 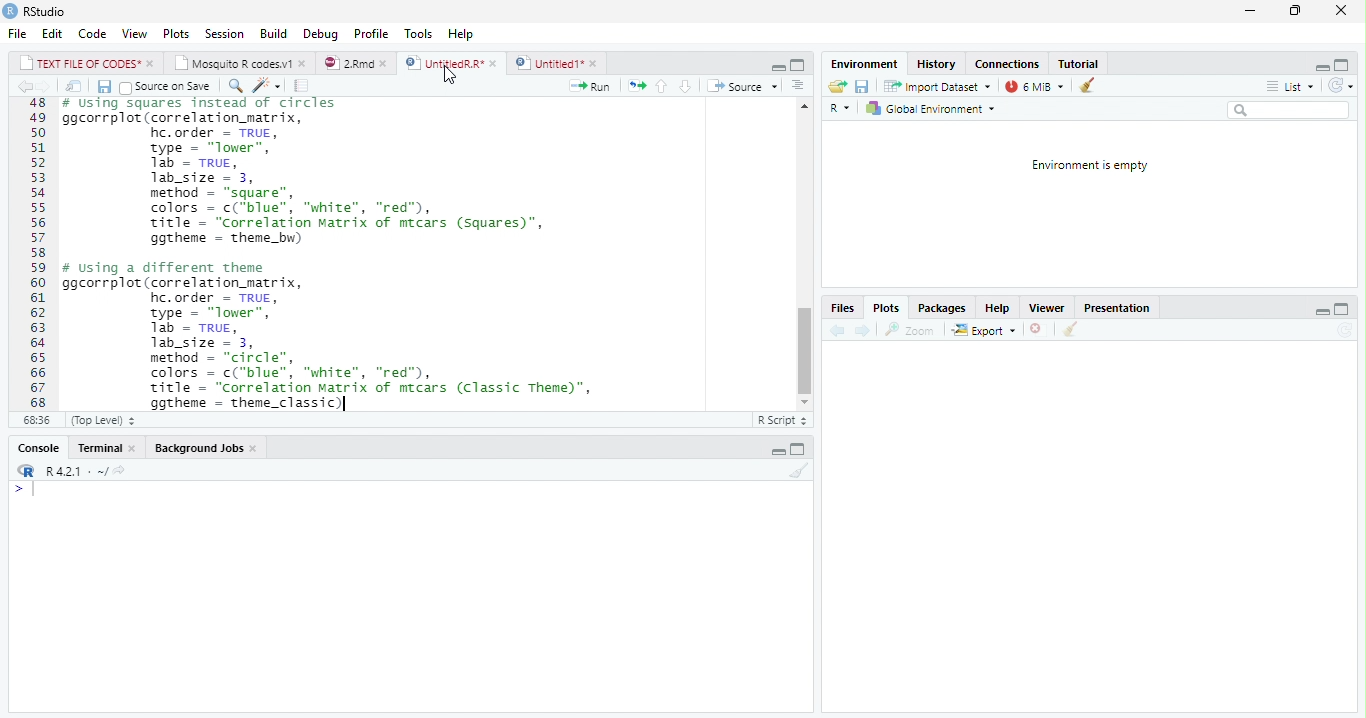 I want to click on Mosautto & cosesy, so click(x=244, y=64).